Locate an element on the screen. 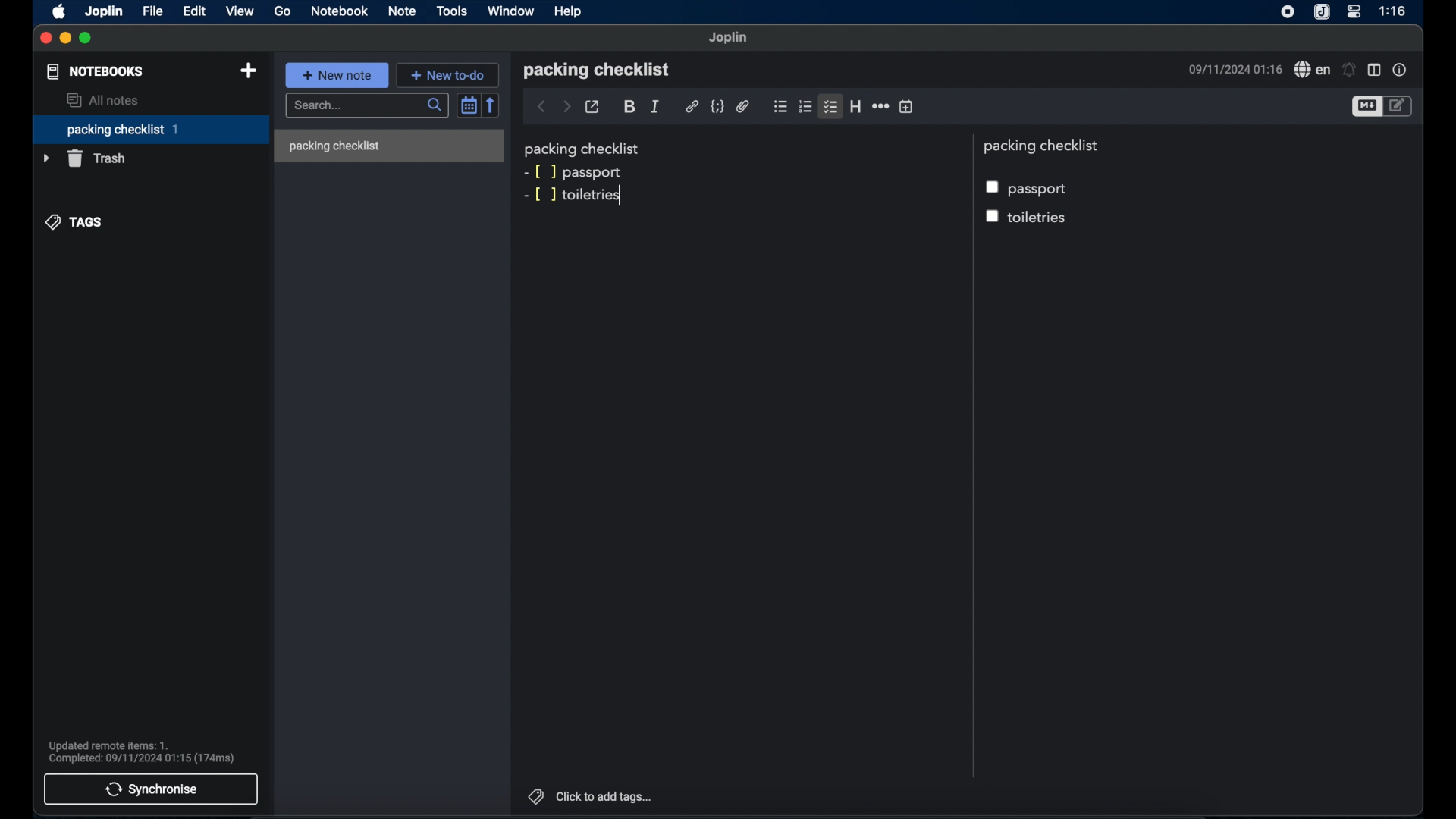  view is located at coordinates (240, 11).